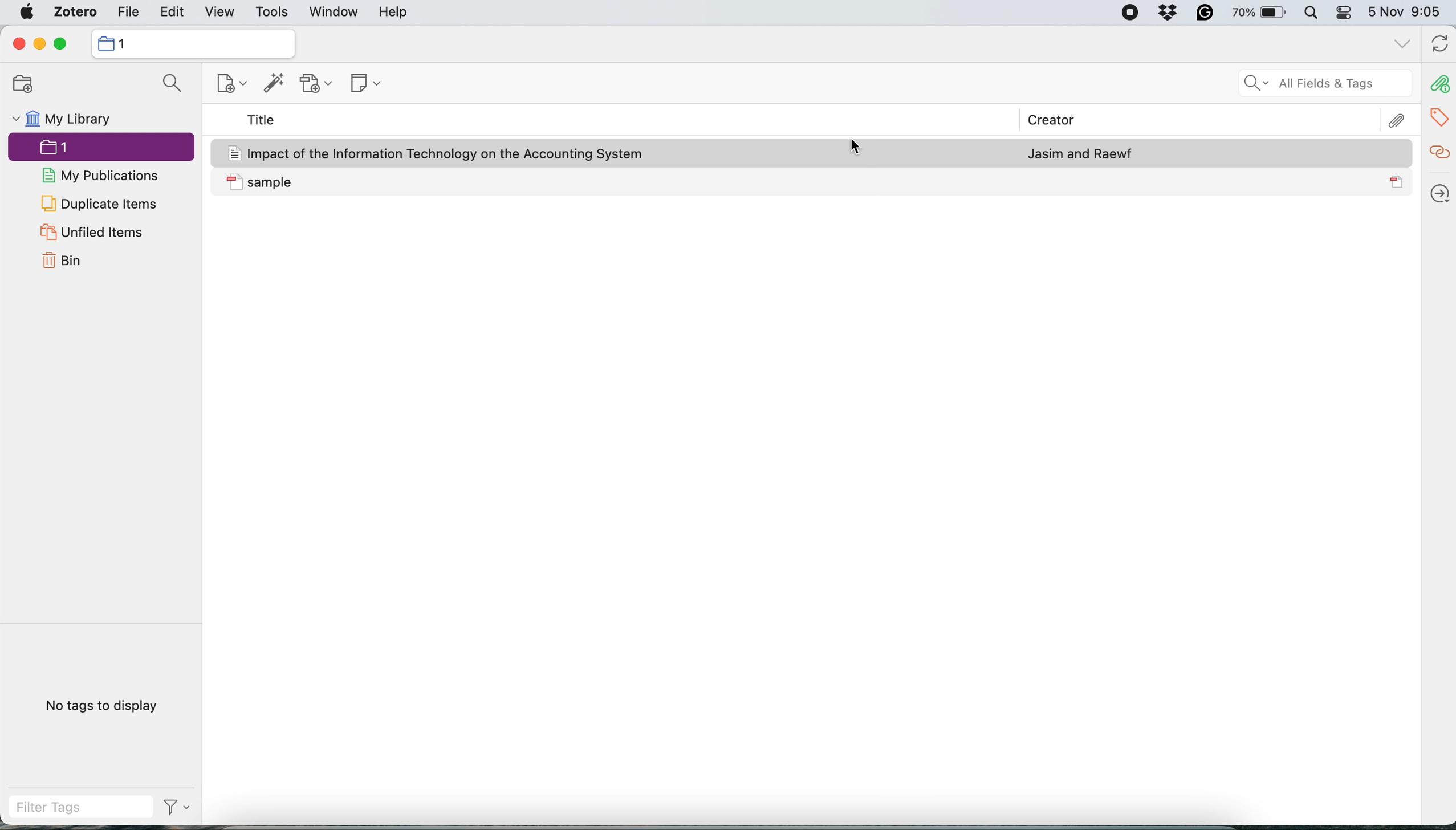 Image resolution: width=1456 pixels, height=830 pixels. What do you see at coordinates (332, 13) in the screenshot?
I see `window` at bounding box center [332, 13].